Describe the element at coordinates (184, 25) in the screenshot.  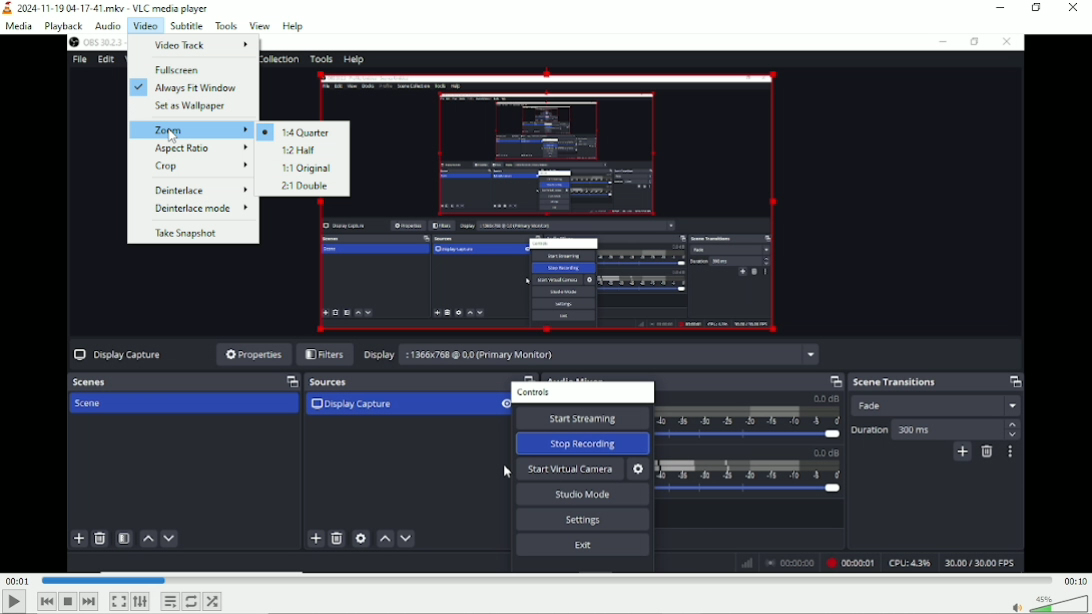
I see `subtitle` at that location.